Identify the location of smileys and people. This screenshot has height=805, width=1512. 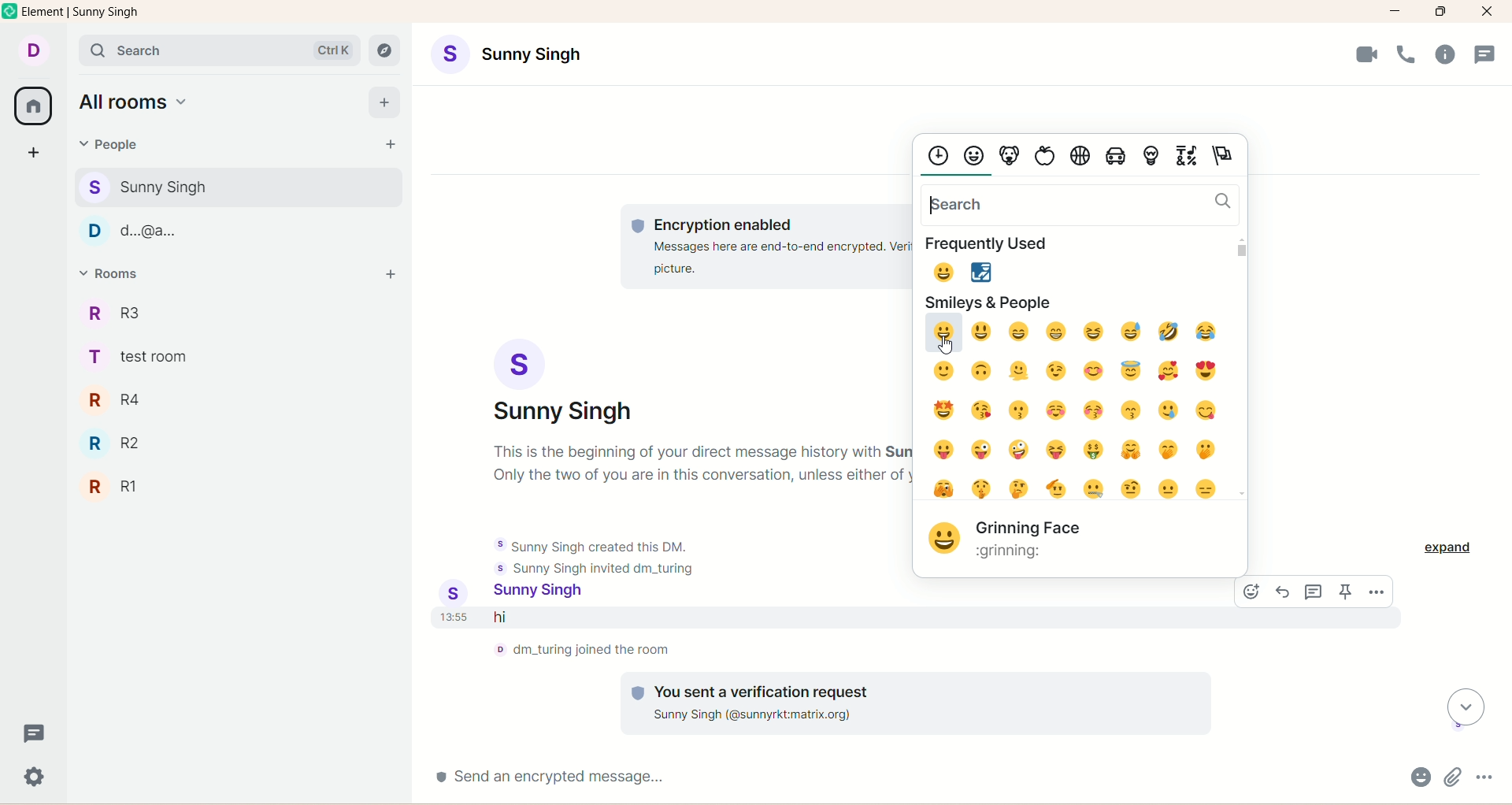
(991, 302).